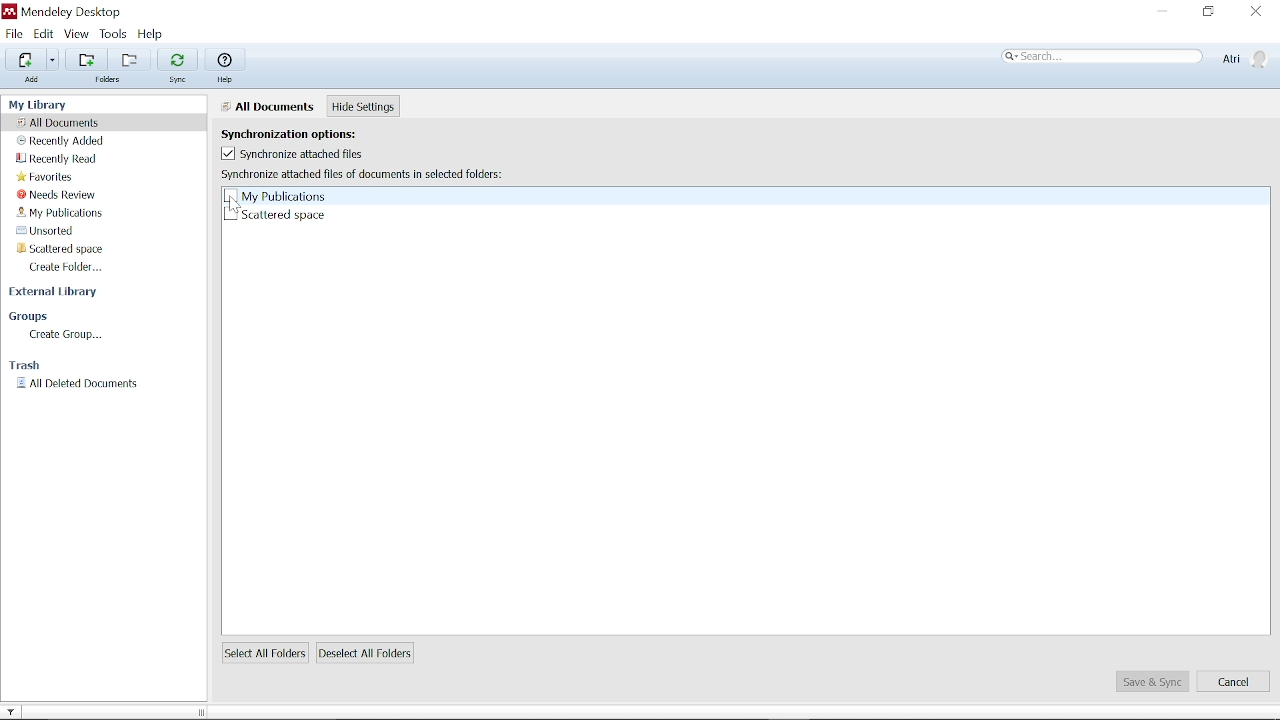  Describe the element at coordinates (46, 176) in the screenshot. I see `Favorites` at that location.